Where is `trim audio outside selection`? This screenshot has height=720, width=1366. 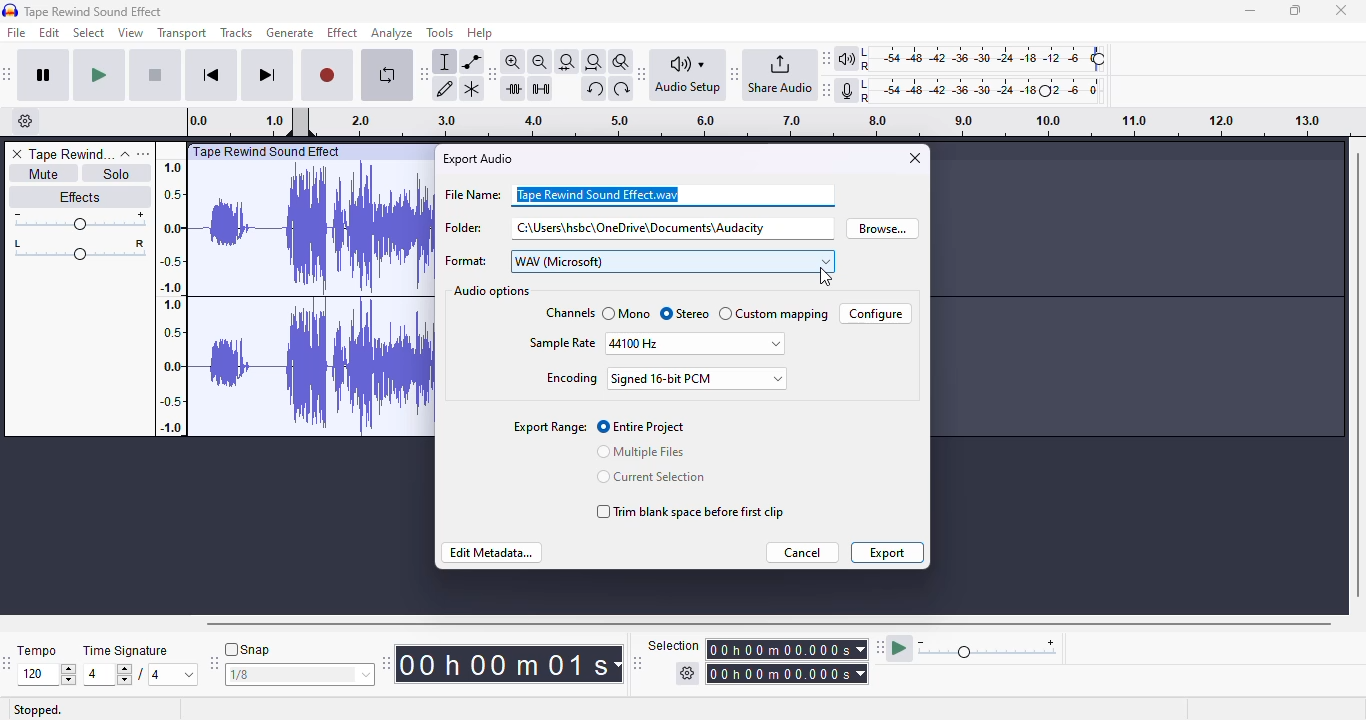 trim audio outside selection is located at coordinates (513, 88).